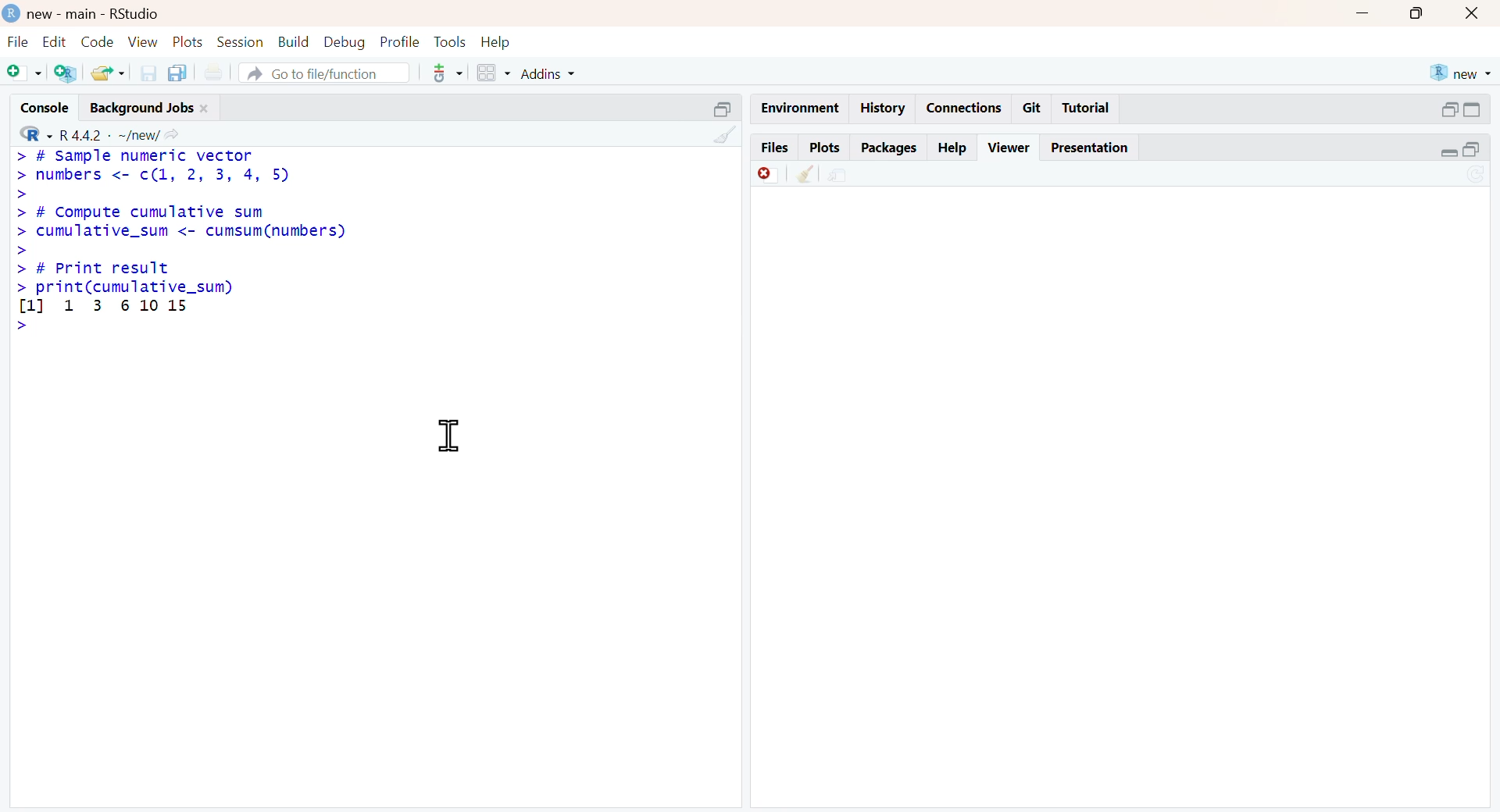 This screenshot has width=1500, height=812. Describe the element at coordinates (205, 109) in the screenshot. I see `close` at that location.